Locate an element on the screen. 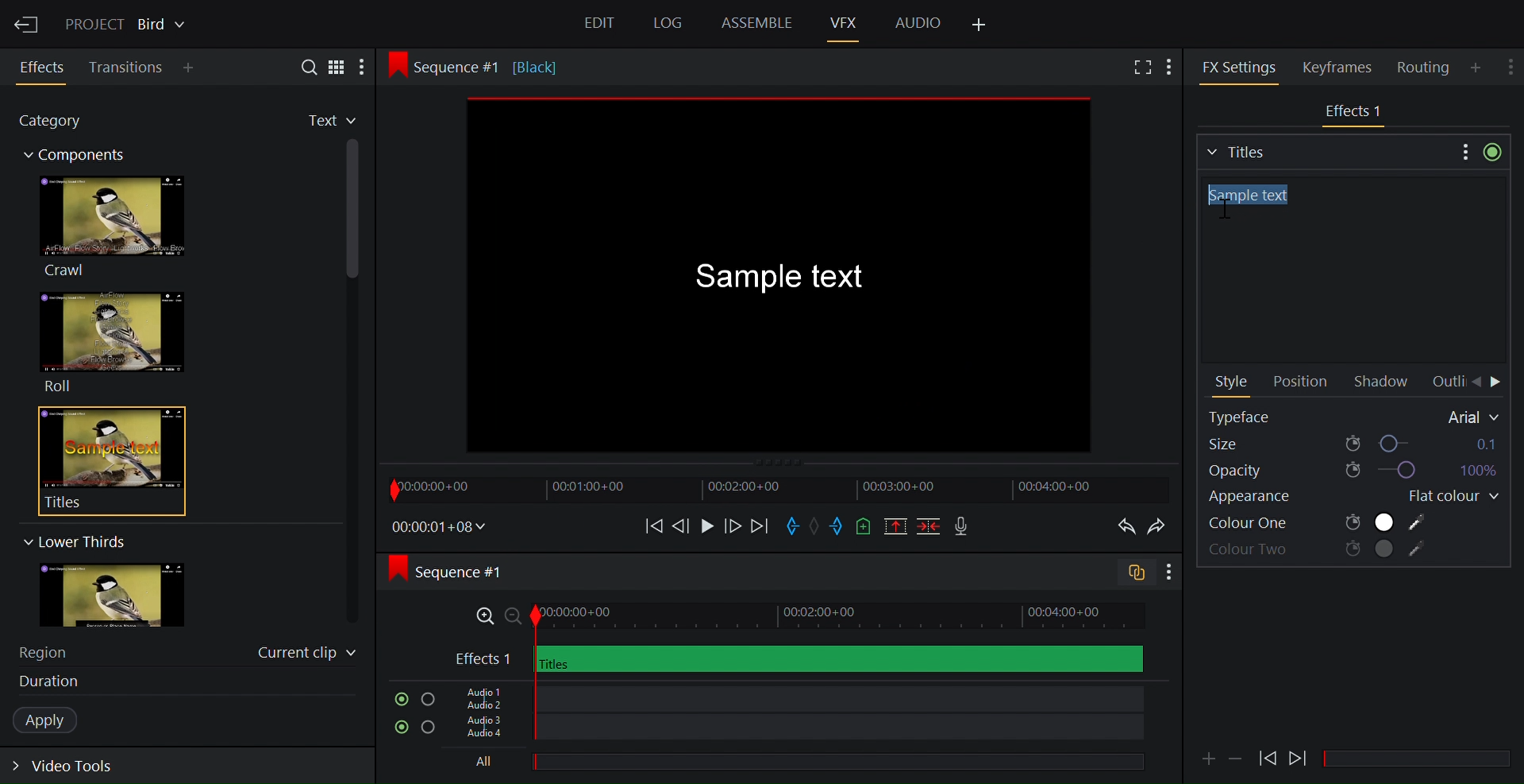  Nudge one frame backwards is located at coordinates (682, 525).